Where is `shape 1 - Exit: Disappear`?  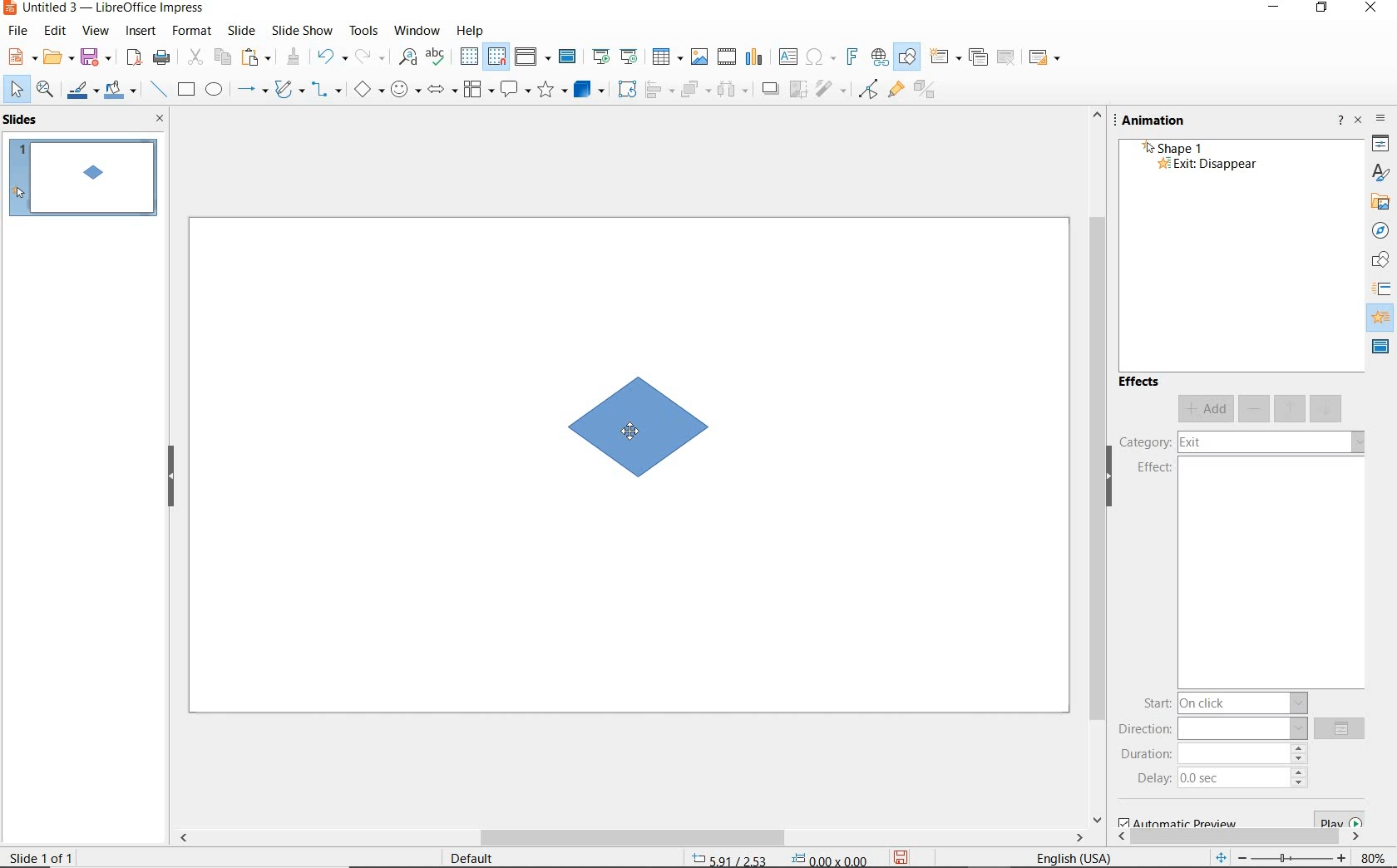 shape 1 - Exit: Disappear is located at coordinates (1197, 159).